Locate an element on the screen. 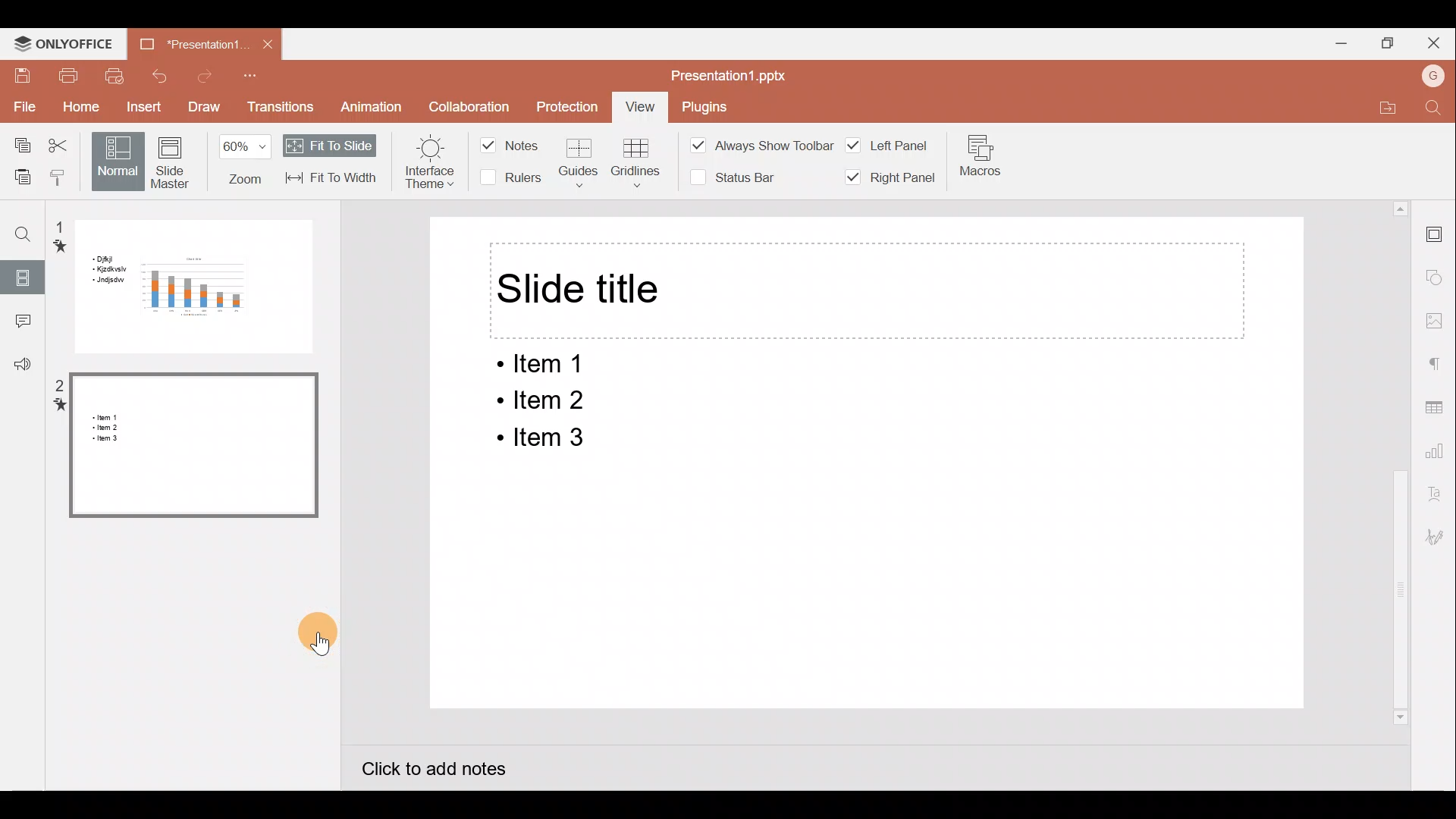 The image size is (1456, 819). Item 1 is located at coordinates (547, 366).